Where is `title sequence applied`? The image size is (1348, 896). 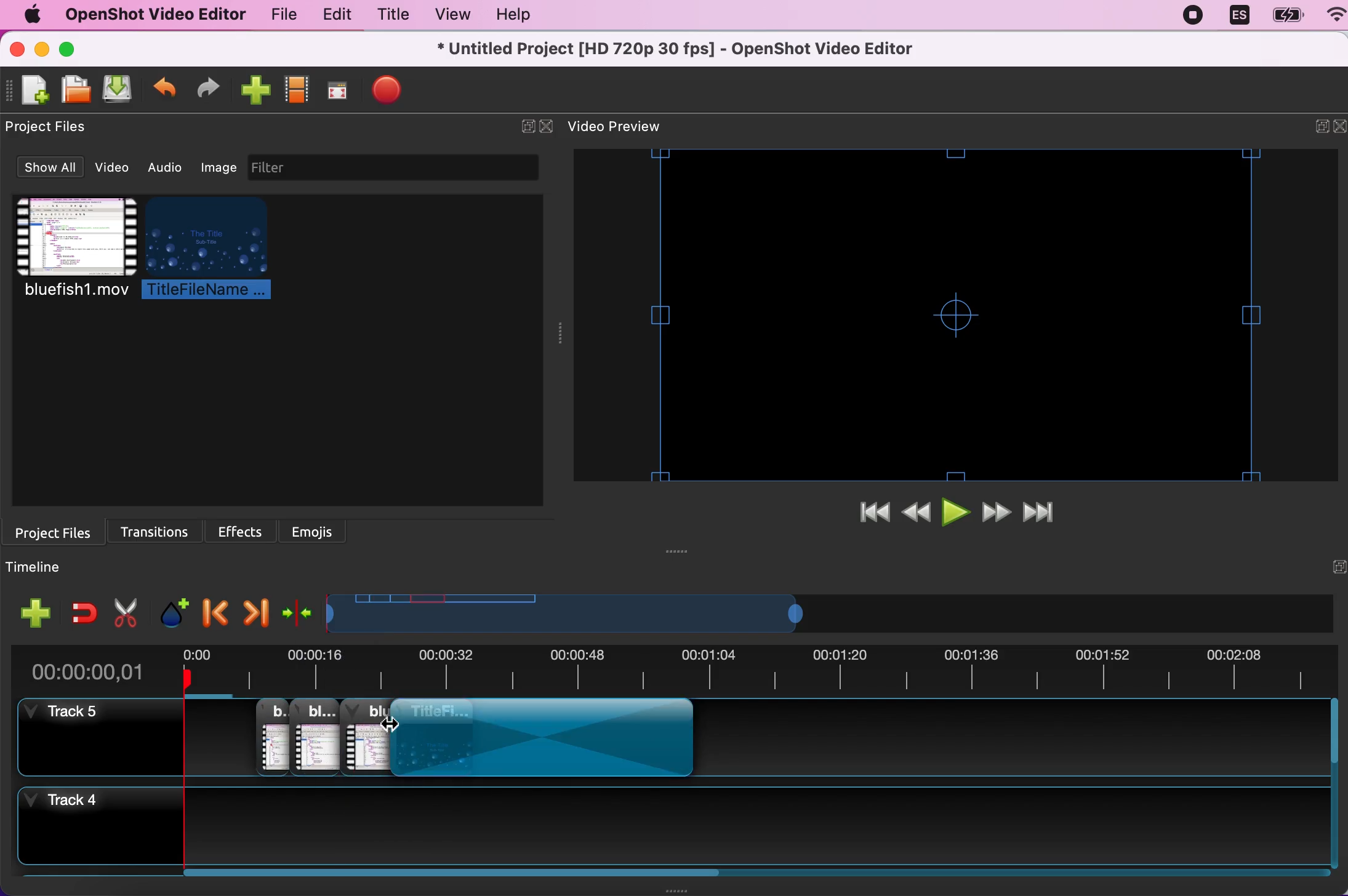 title sequence applied is located at coordinates (549, 739).